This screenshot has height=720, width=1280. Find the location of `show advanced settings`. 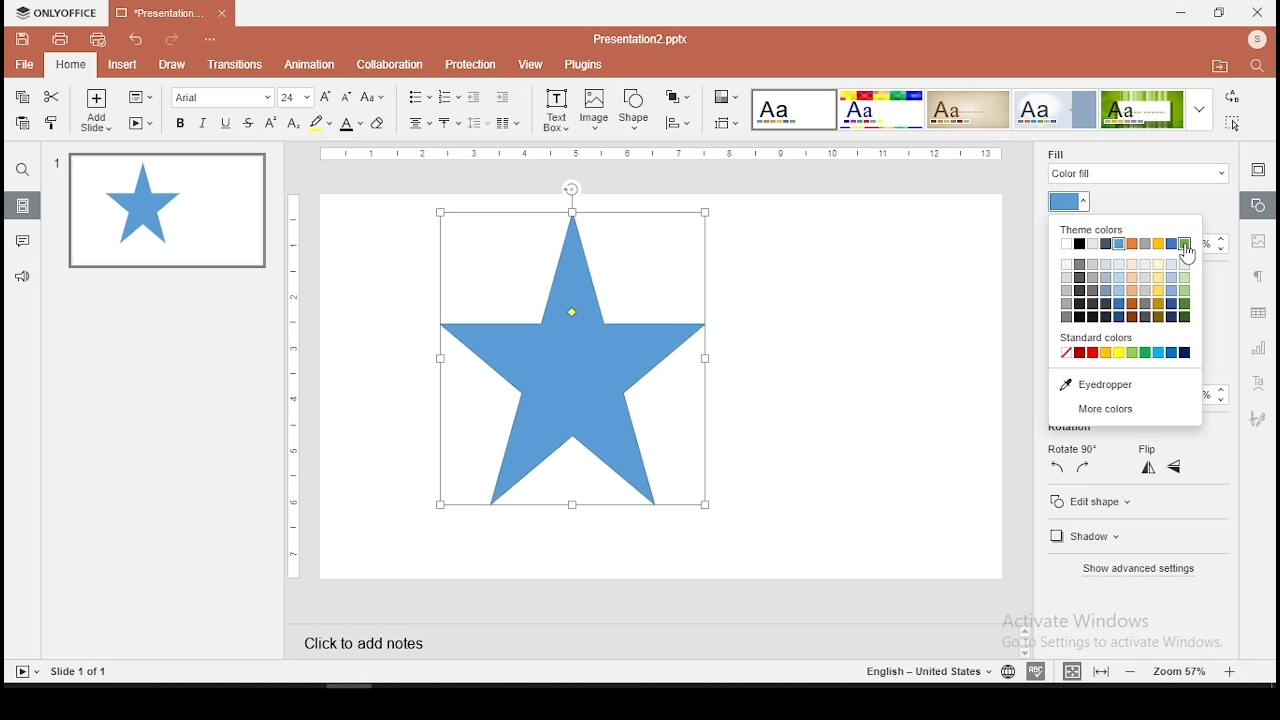

show advanced settings is located at coordinates (1141, 567).